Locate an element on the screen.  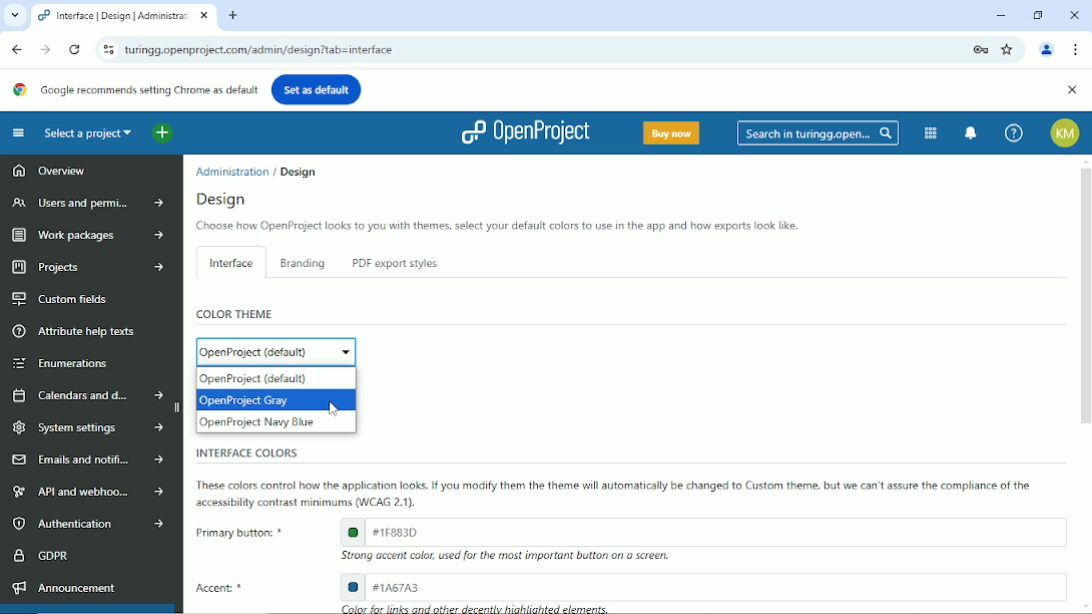
Projects is located at coordinates (84, 268).